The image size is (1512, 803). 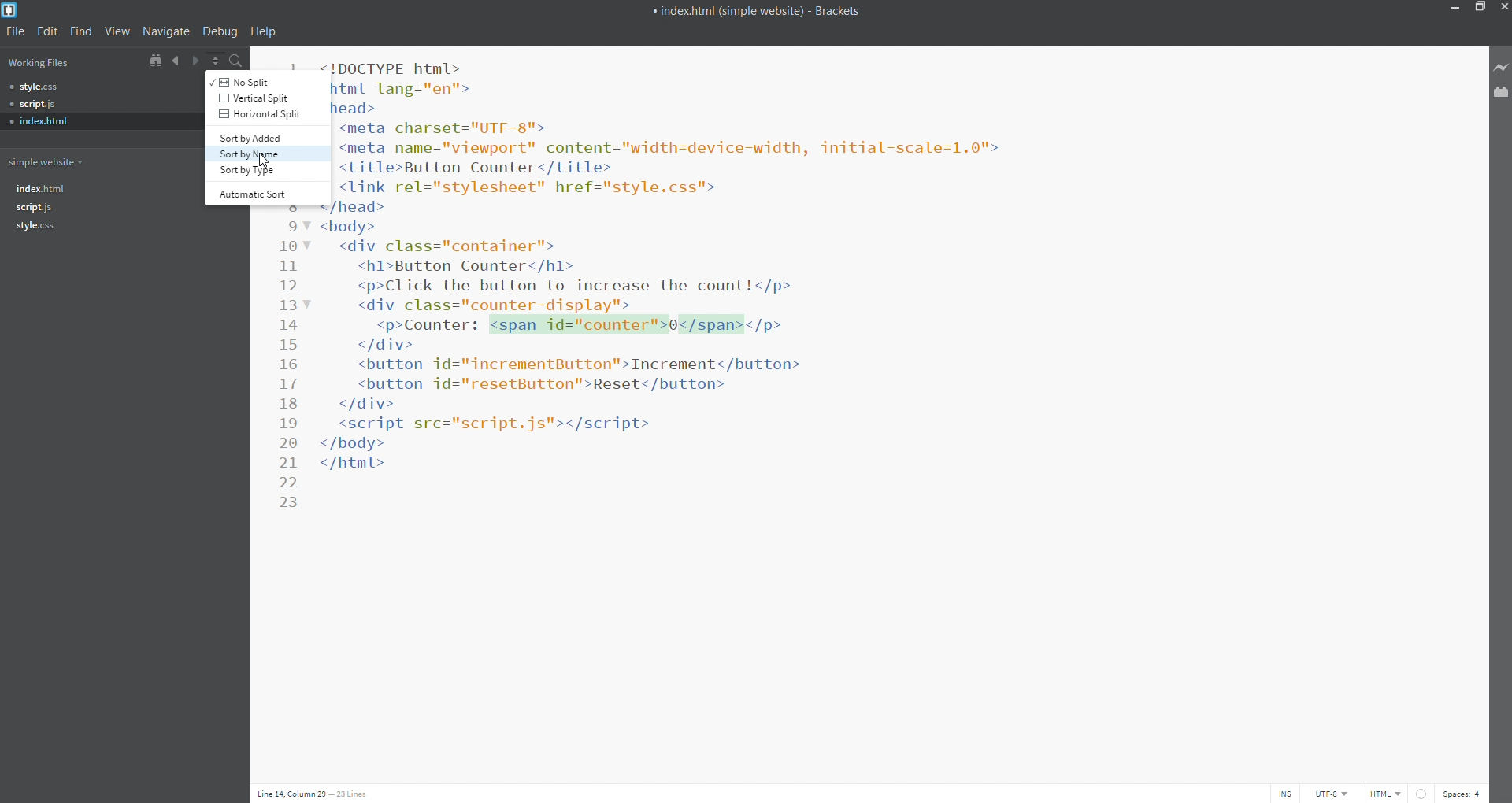 What do you see at coordinates (354, 794) in the screenshot?
I see `lines: 23 lines` at bounding box center [354, 794].